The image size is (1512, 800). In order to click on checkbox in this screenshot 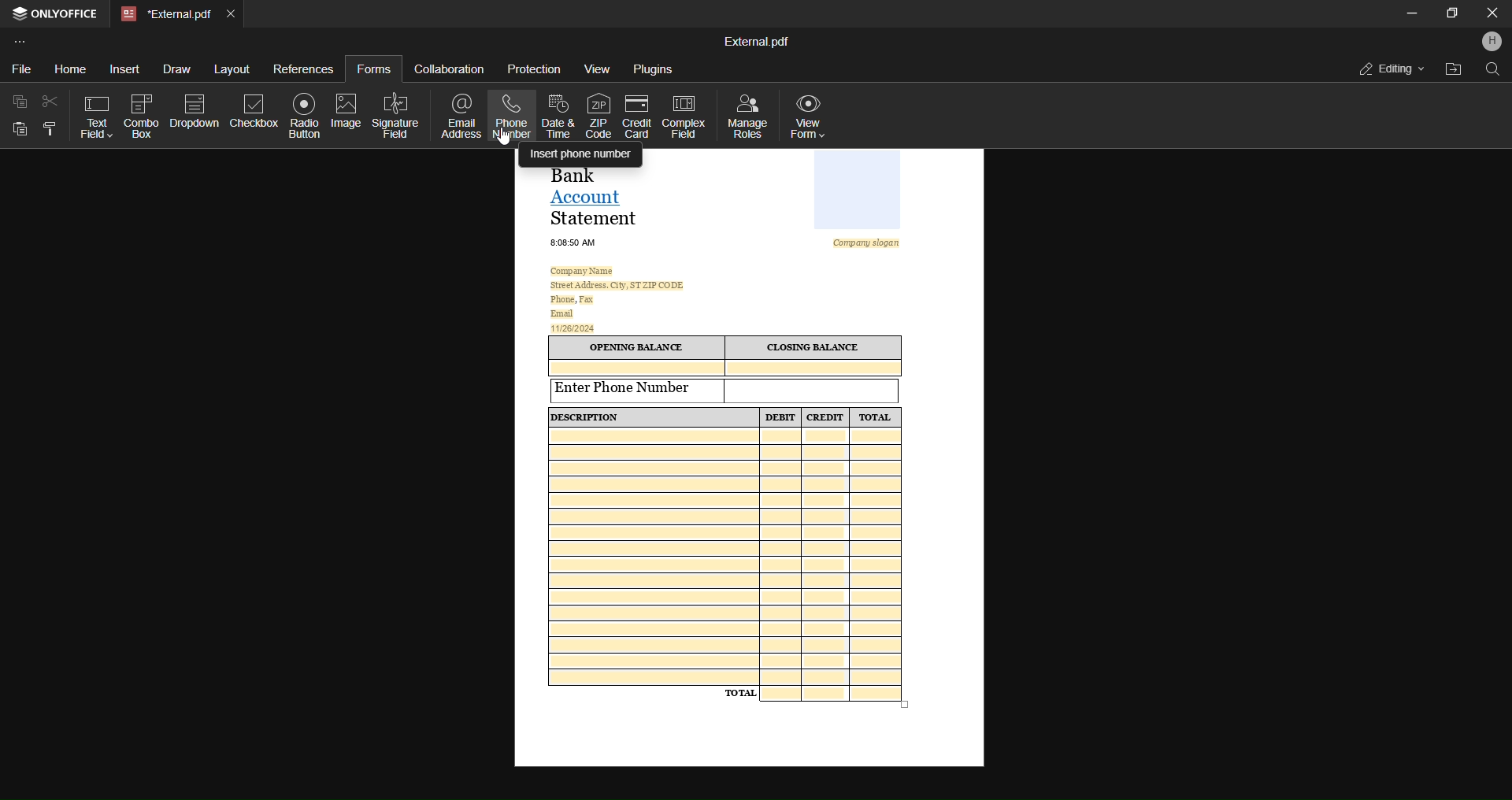, I will do `click(250, 109)`.